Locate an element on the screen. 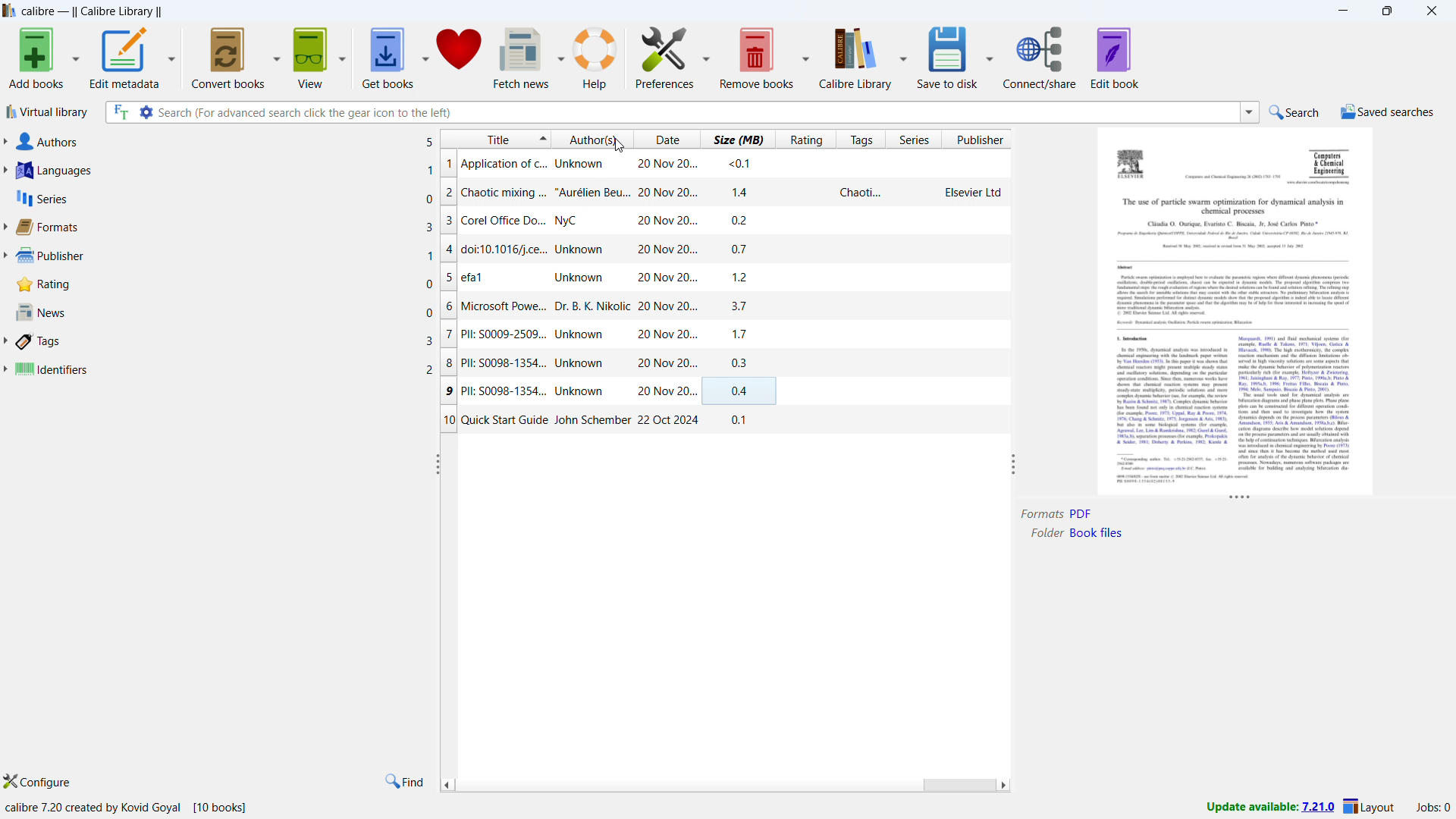 The image size is (1456, 819). convert books options is located at coordinates (278, 58).